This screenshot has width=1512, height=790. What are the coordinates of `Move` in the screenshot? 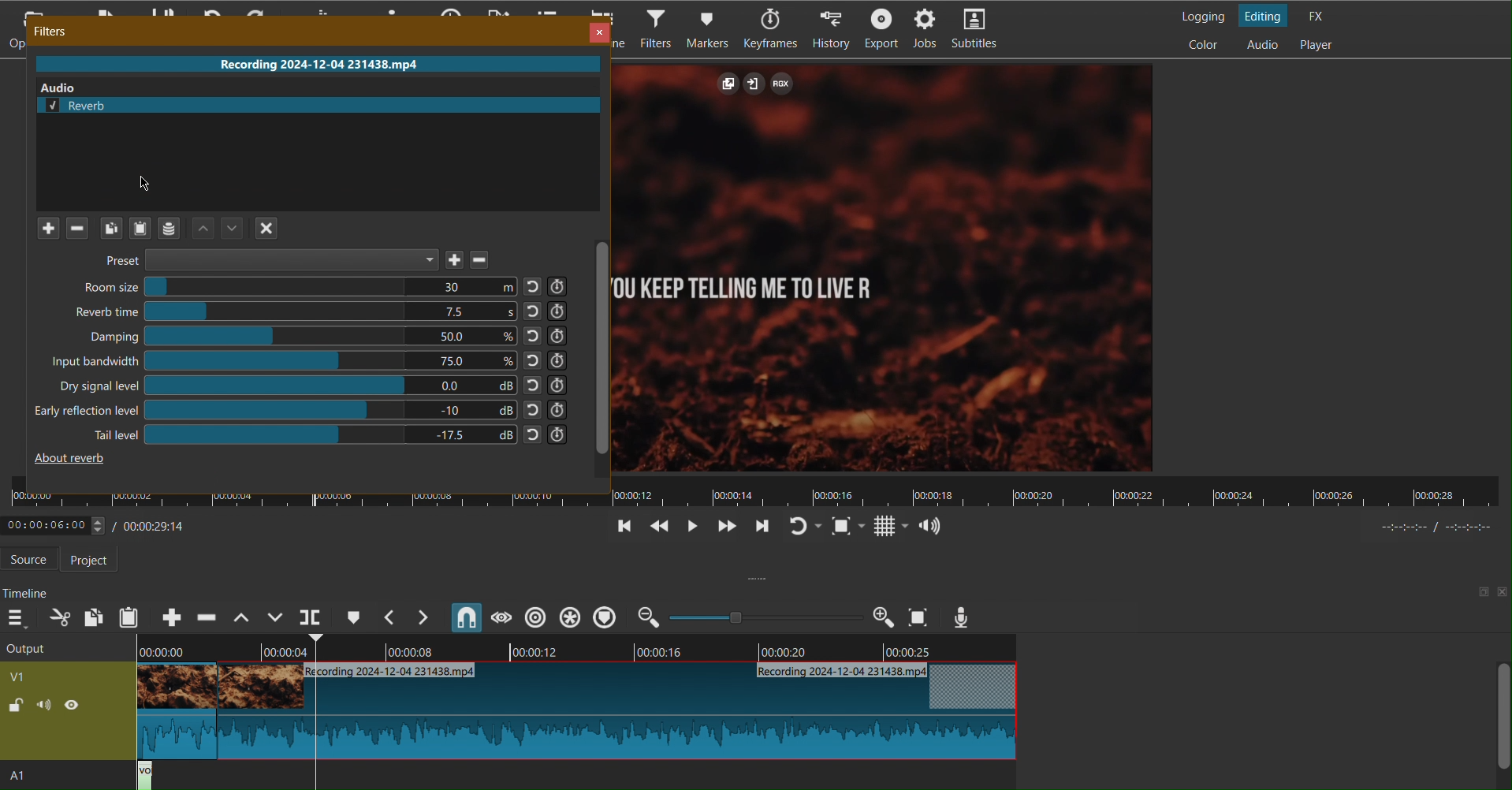 It's located at (219, 228).